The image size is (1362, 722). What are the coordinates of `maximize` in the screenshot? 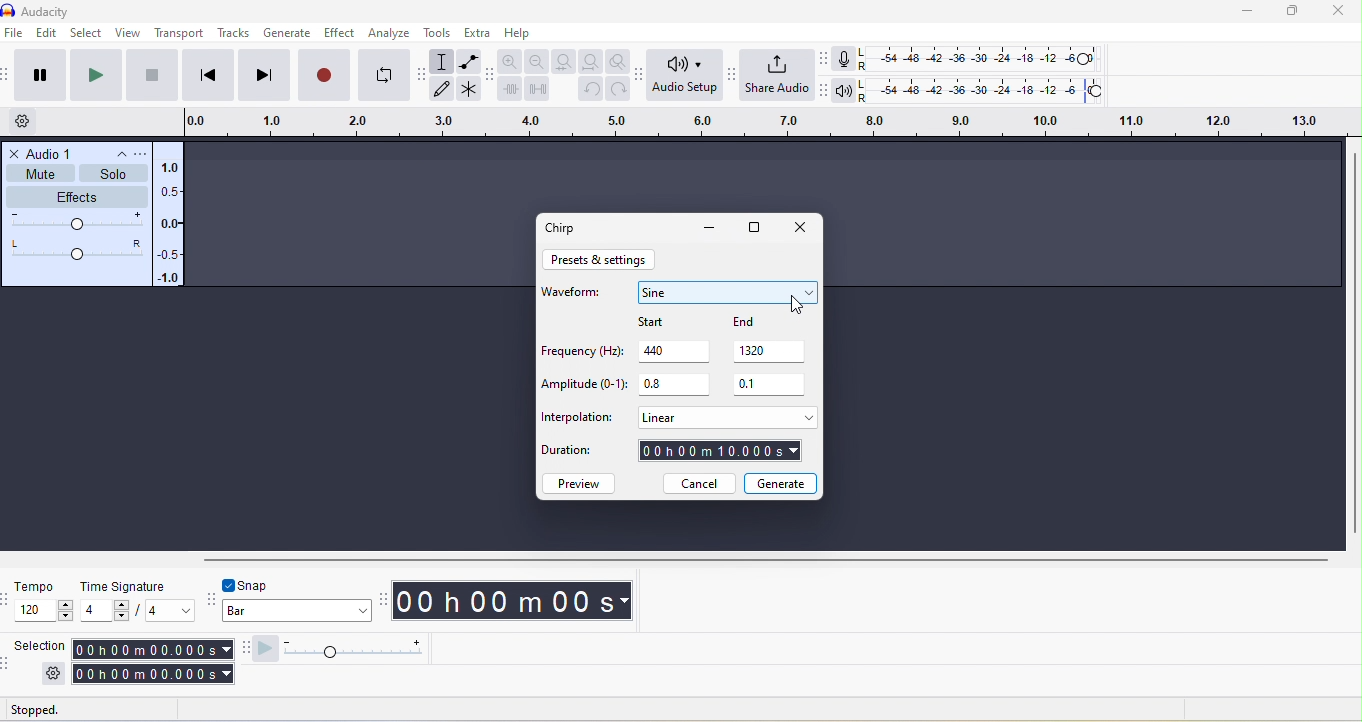 It's located at (1299, 11).